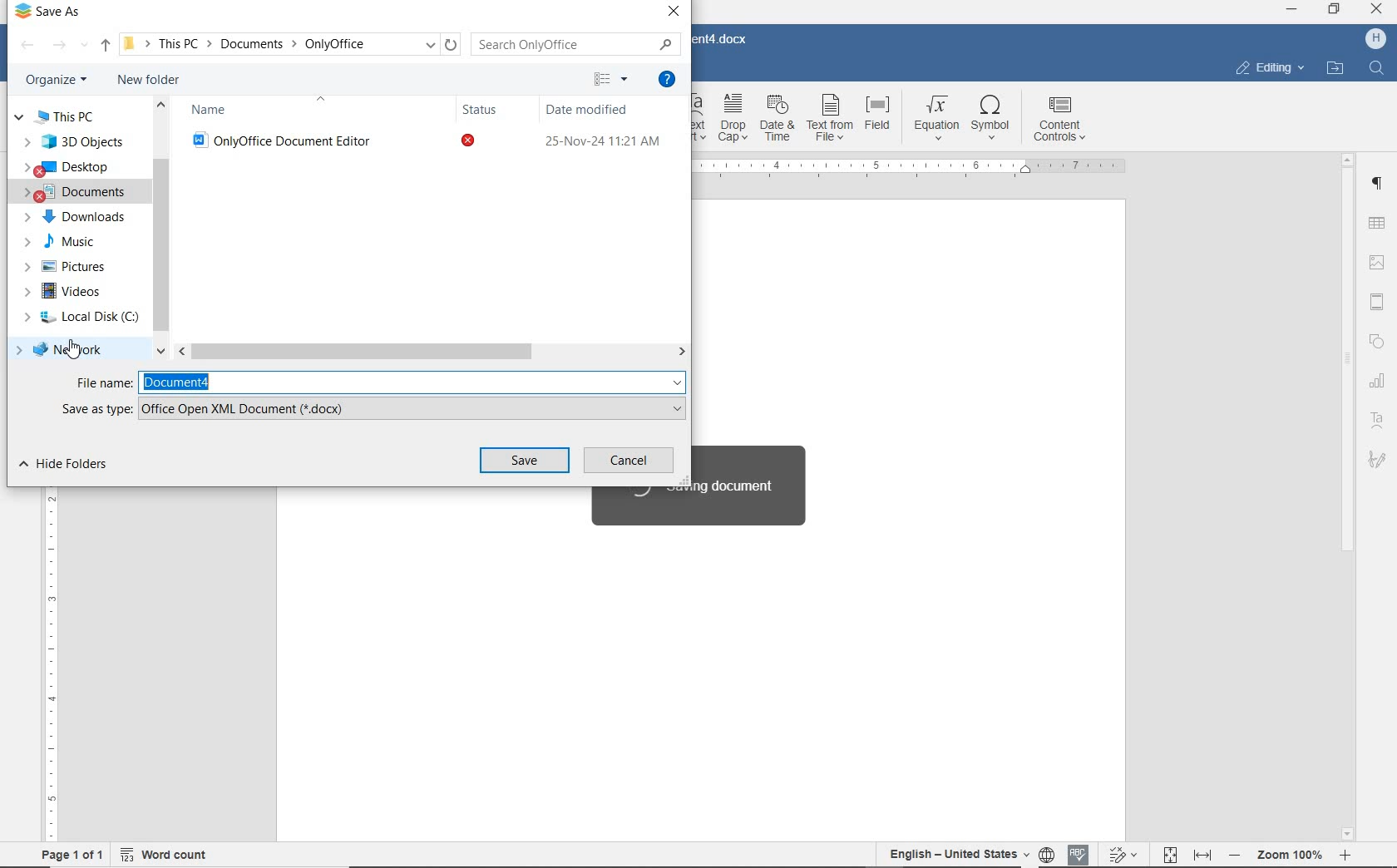 The height and width of the screenshot is (868, 1397). I want to click on Fit to page, so click(1172, 855).